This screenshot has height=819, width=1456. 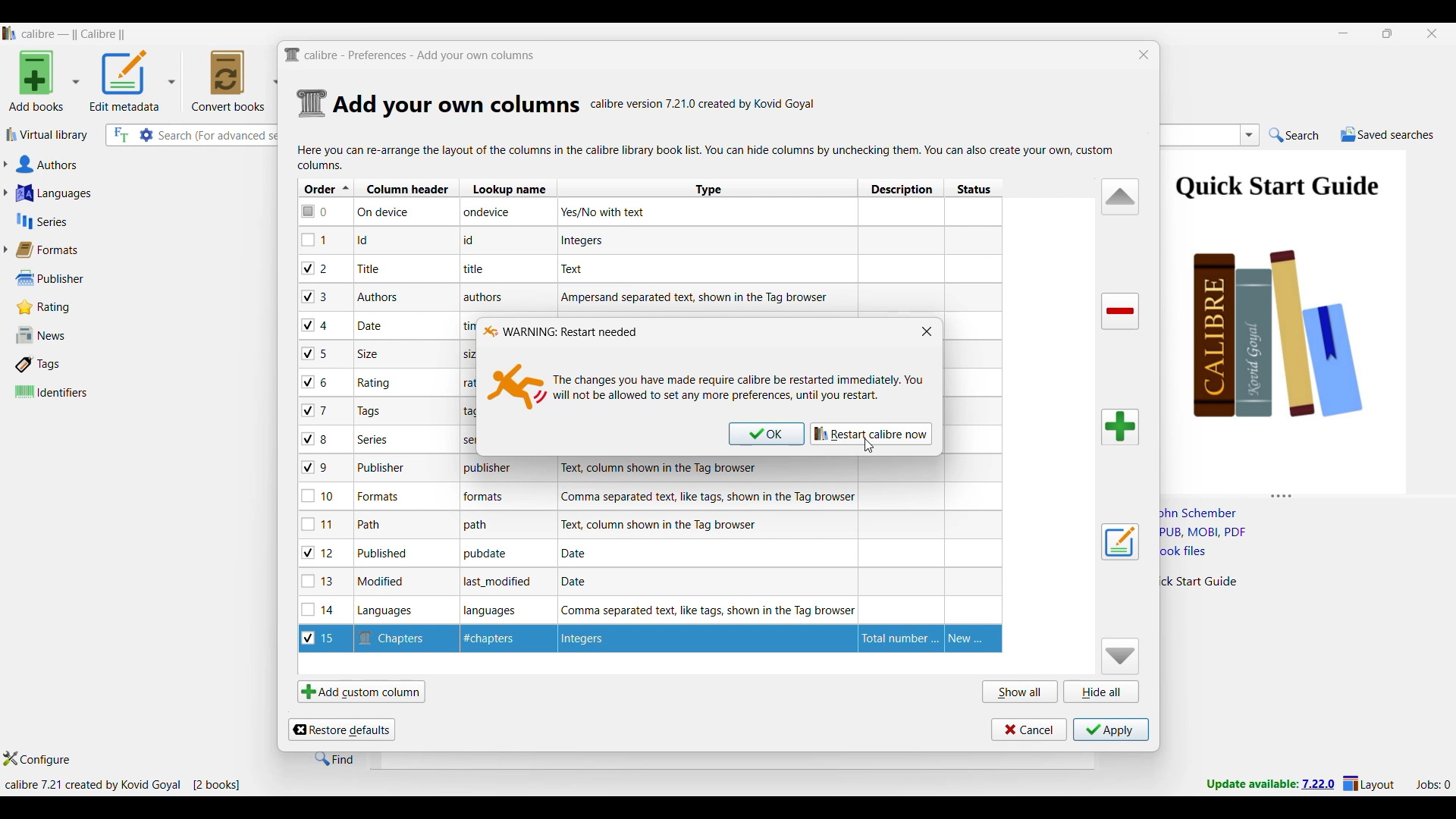 What do you see at coordinates (494, 611) in the screenshot?
I see `note` at bounding box center [494, 611].